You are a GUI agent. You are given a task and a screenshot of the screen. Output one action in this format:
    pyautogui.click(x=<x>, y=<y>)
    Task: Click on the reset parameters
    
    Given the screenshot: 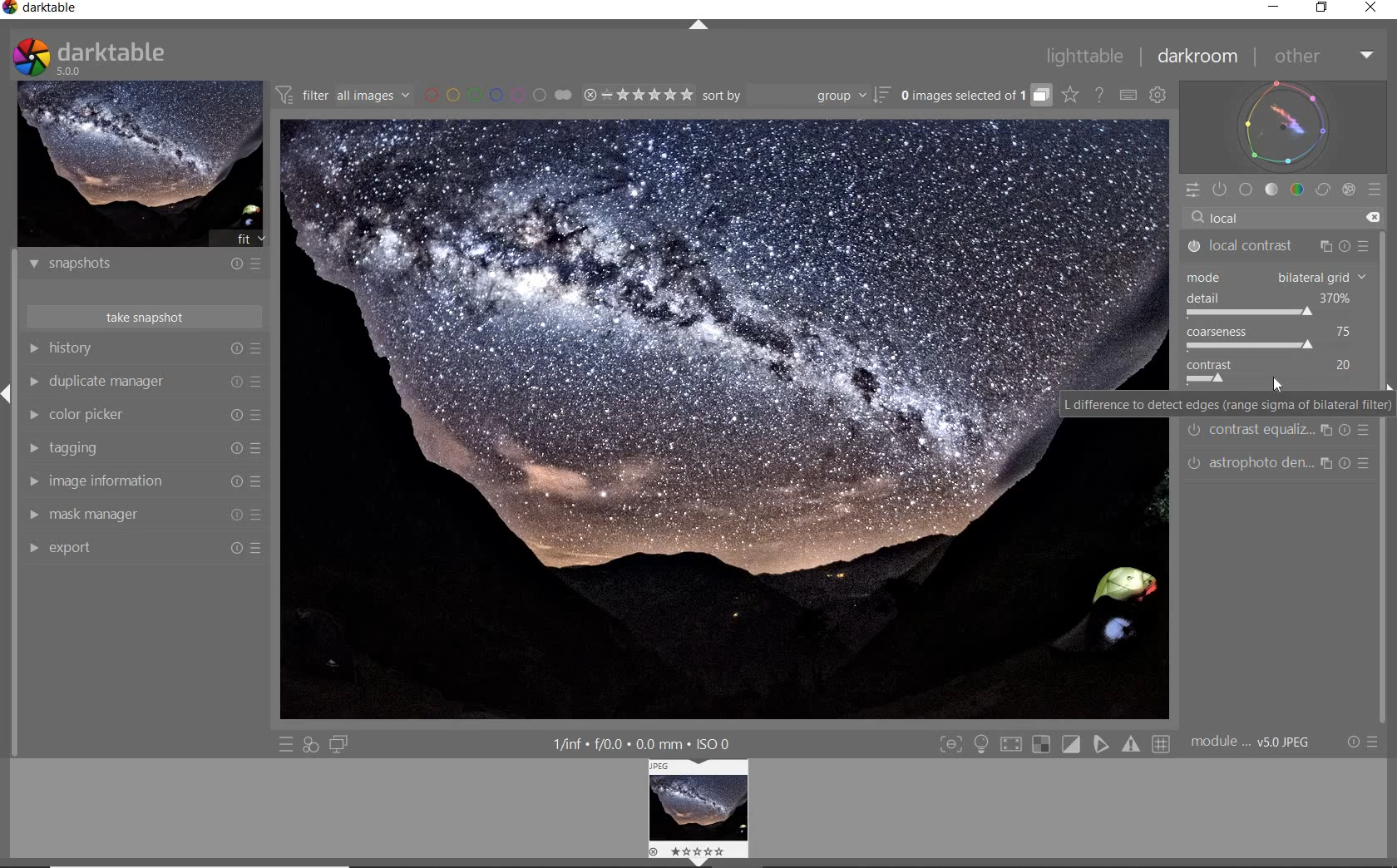 What is the action you would take?
    pyautogui.click(x=1369, y=429)
    